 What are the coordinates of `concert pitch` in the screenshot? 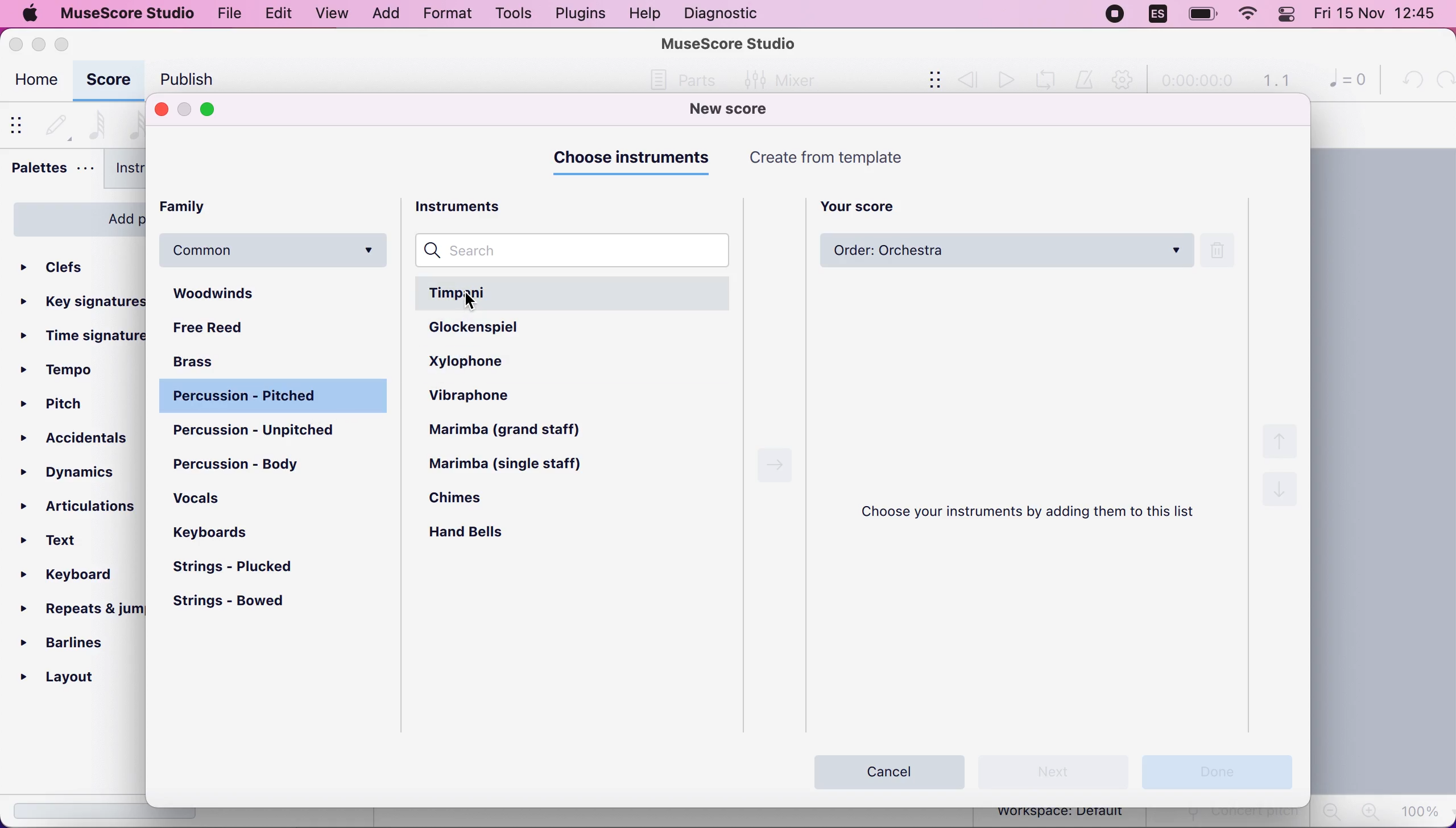 It's located at (1230, 818).